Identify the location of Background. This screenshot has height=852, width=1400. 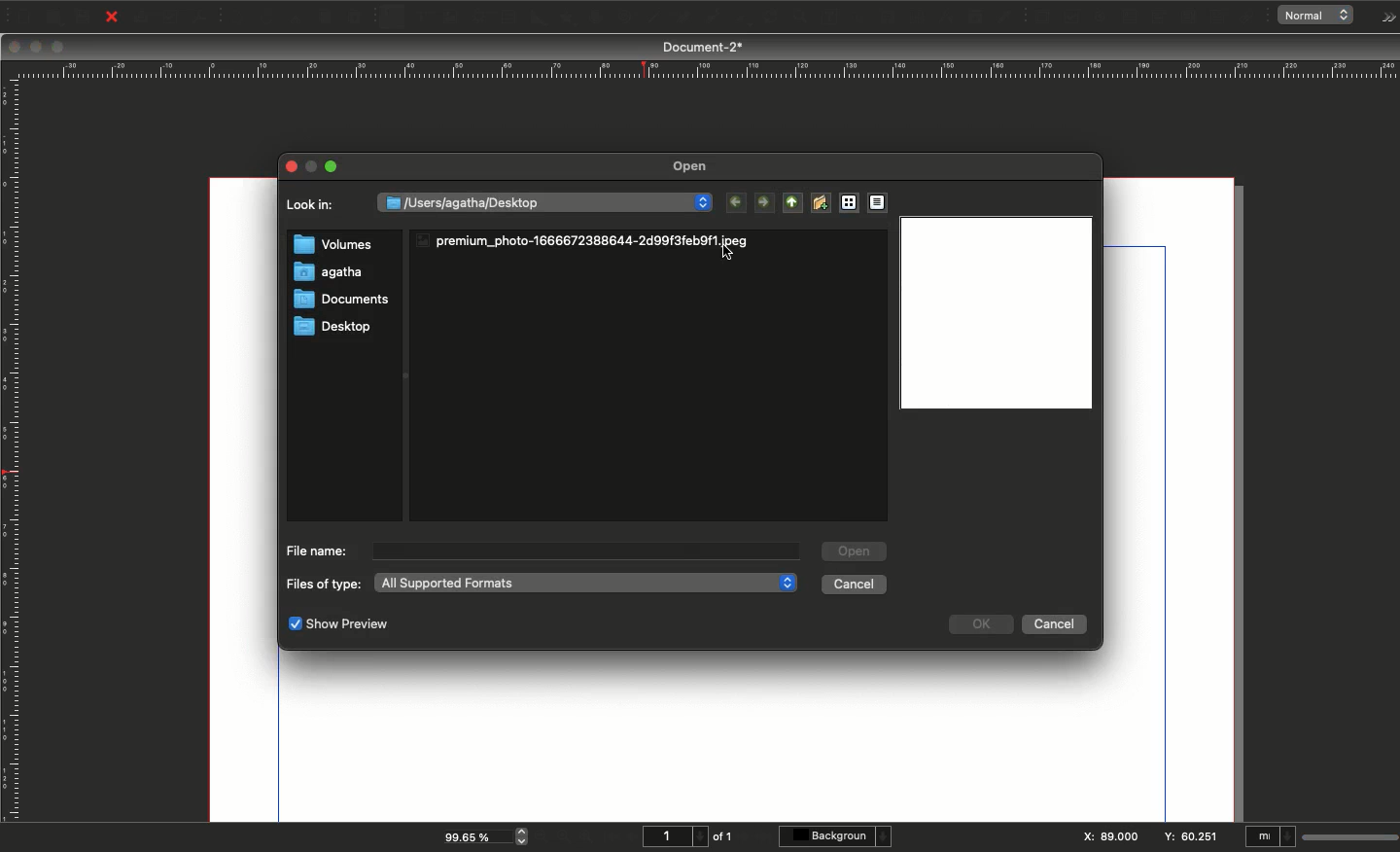
(838, 836).